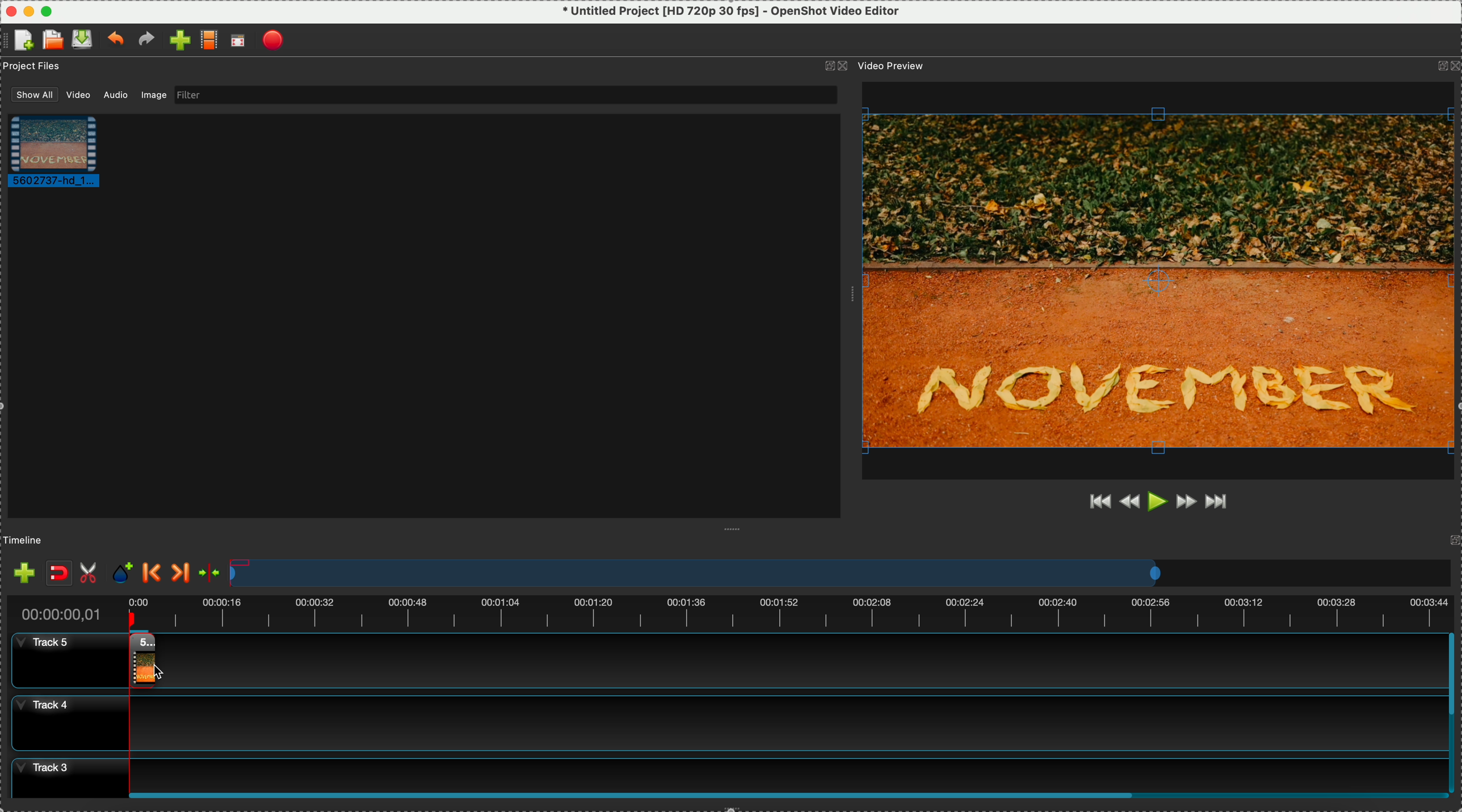  I want to click on export video, so click(275, 40).